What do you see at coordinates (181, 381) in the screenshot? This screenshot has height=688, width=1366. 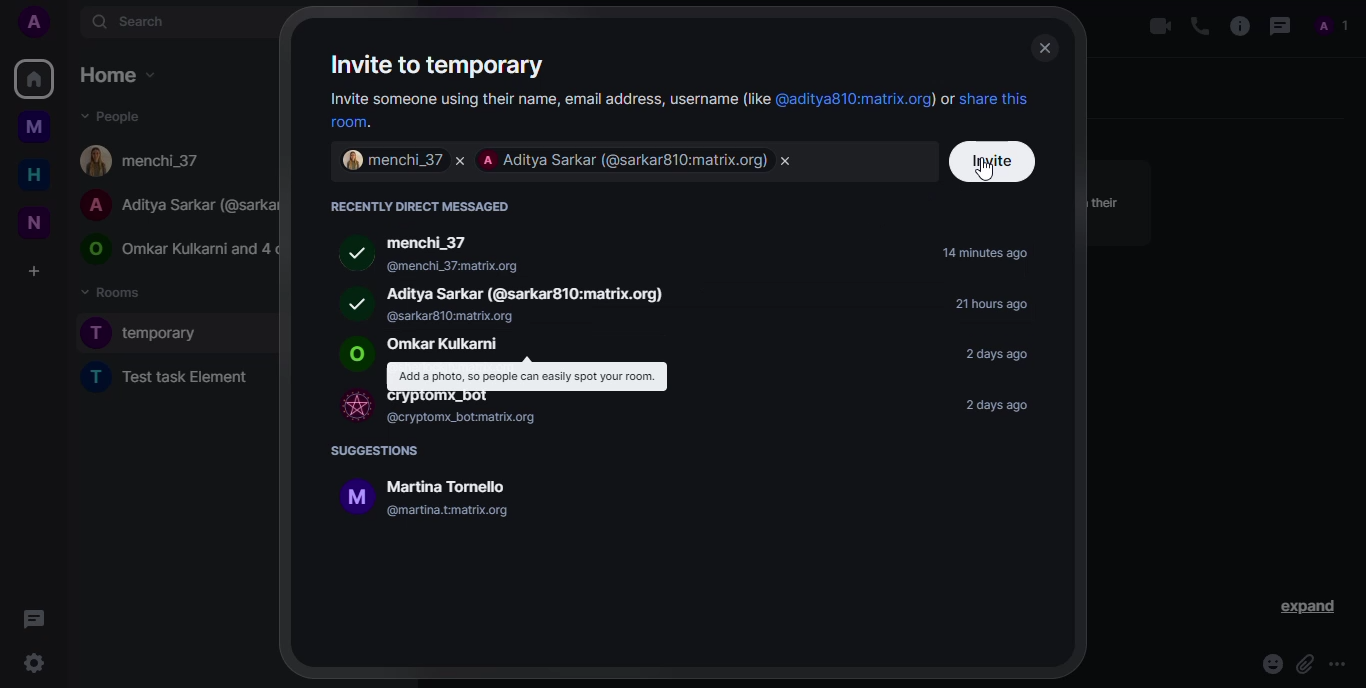 I see `new task element` at bounding box center [181, 381].